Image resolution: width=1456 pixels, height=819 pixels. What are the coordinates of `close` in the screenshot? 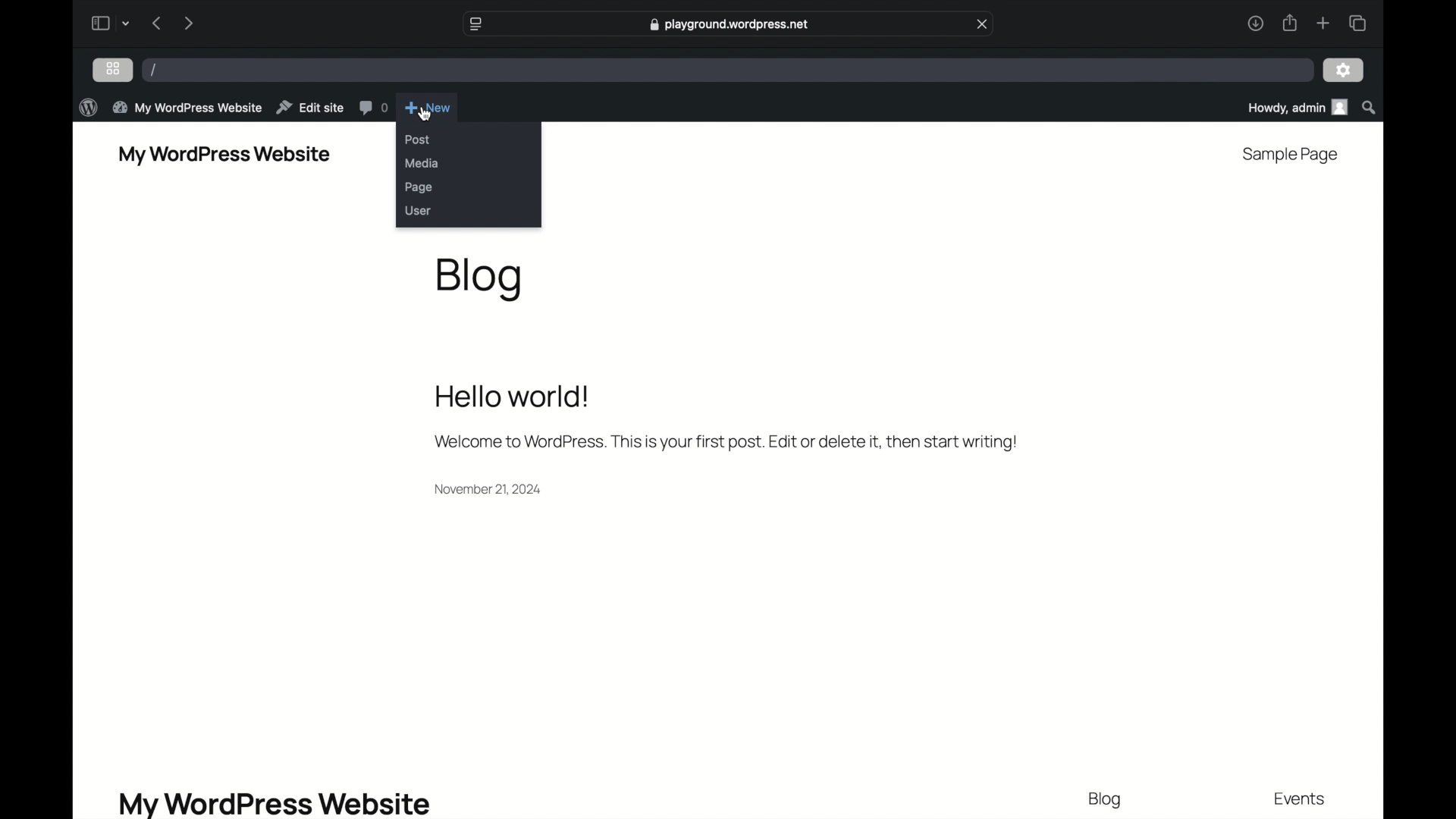 It's located at (983, 23).